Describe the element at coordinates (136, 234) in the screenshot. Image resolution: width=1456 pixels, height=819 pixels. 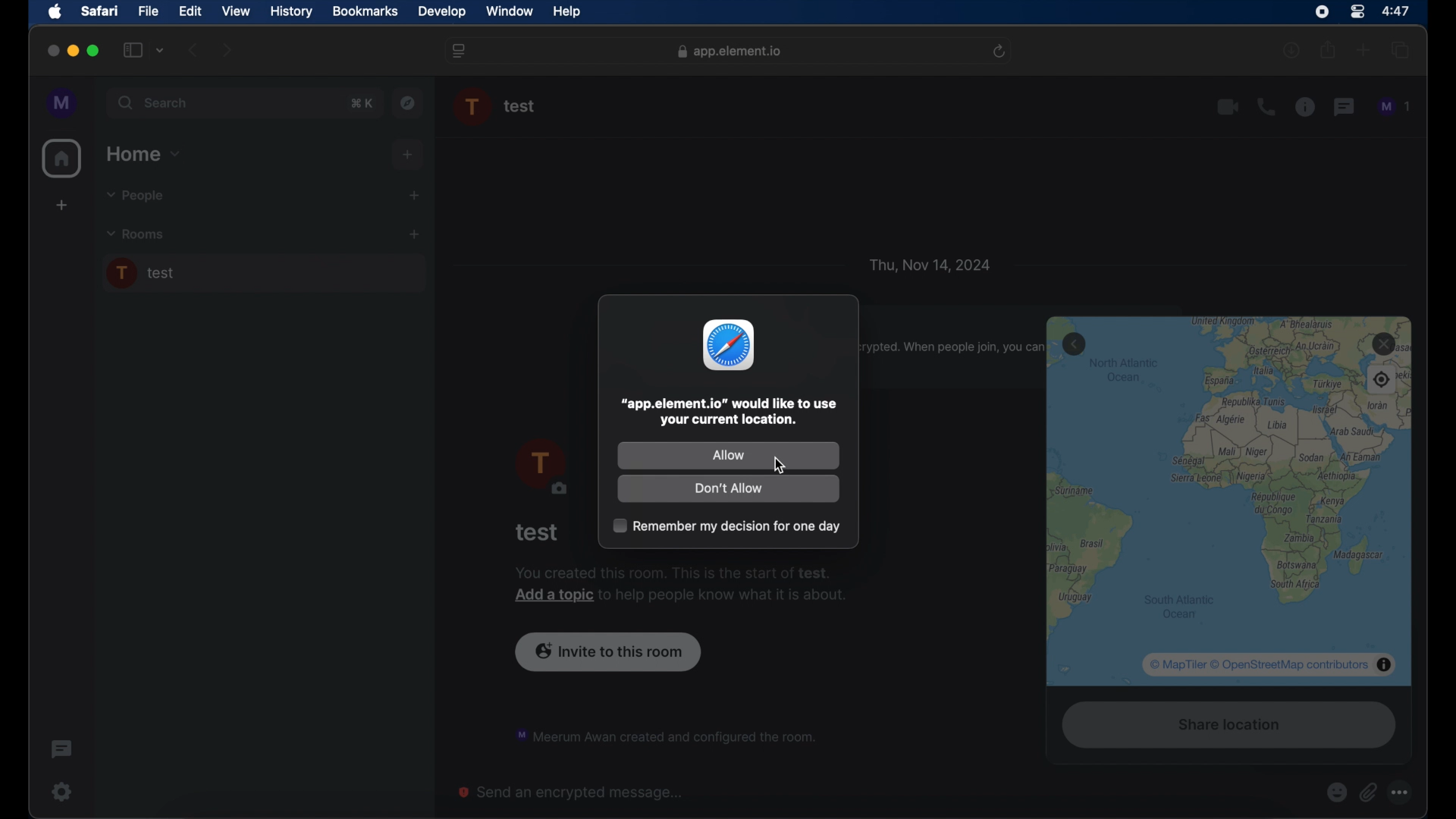
I see `rooms dropdown` at that location.